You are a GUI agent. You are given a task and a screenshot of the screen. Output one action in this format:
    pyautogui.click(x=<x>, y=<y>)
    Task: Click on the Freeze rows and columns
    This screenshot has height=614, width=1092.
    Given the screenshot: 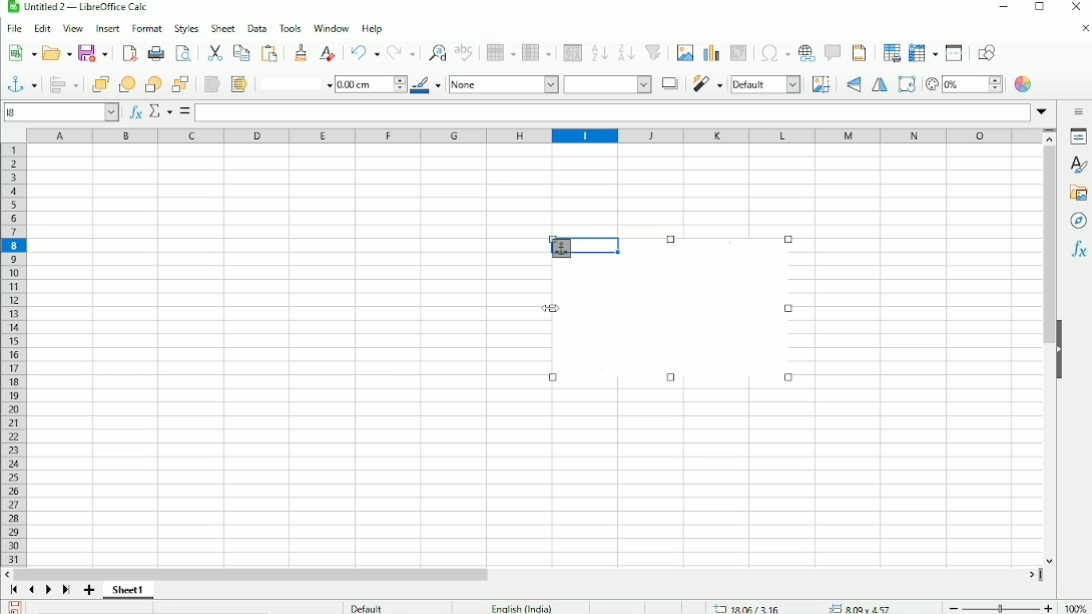 What is the action you would take?
    pyautogui.click(x=921, y=53)
    